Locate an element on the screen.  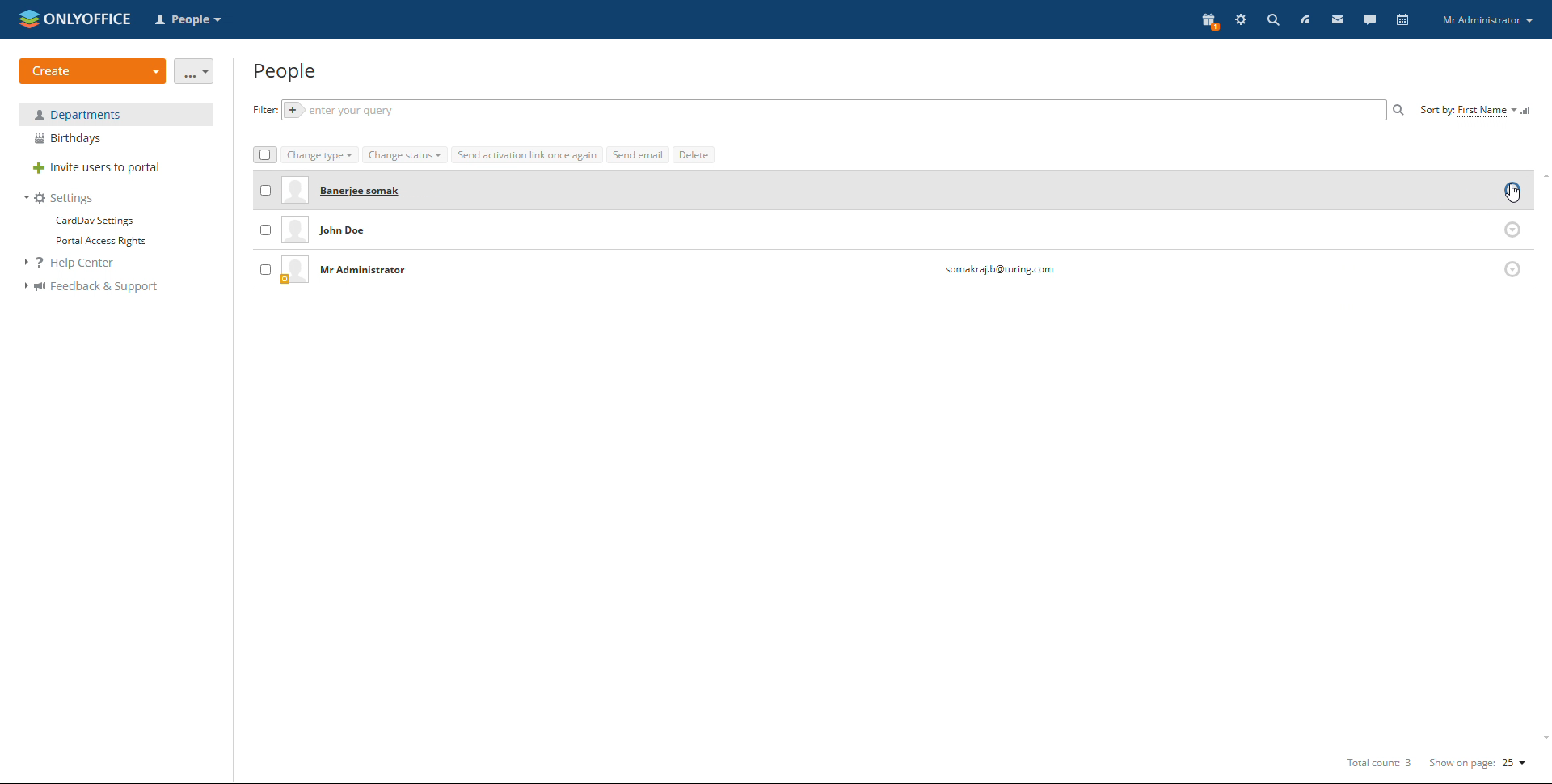
sorting order is located at coordinates (1528, 110).